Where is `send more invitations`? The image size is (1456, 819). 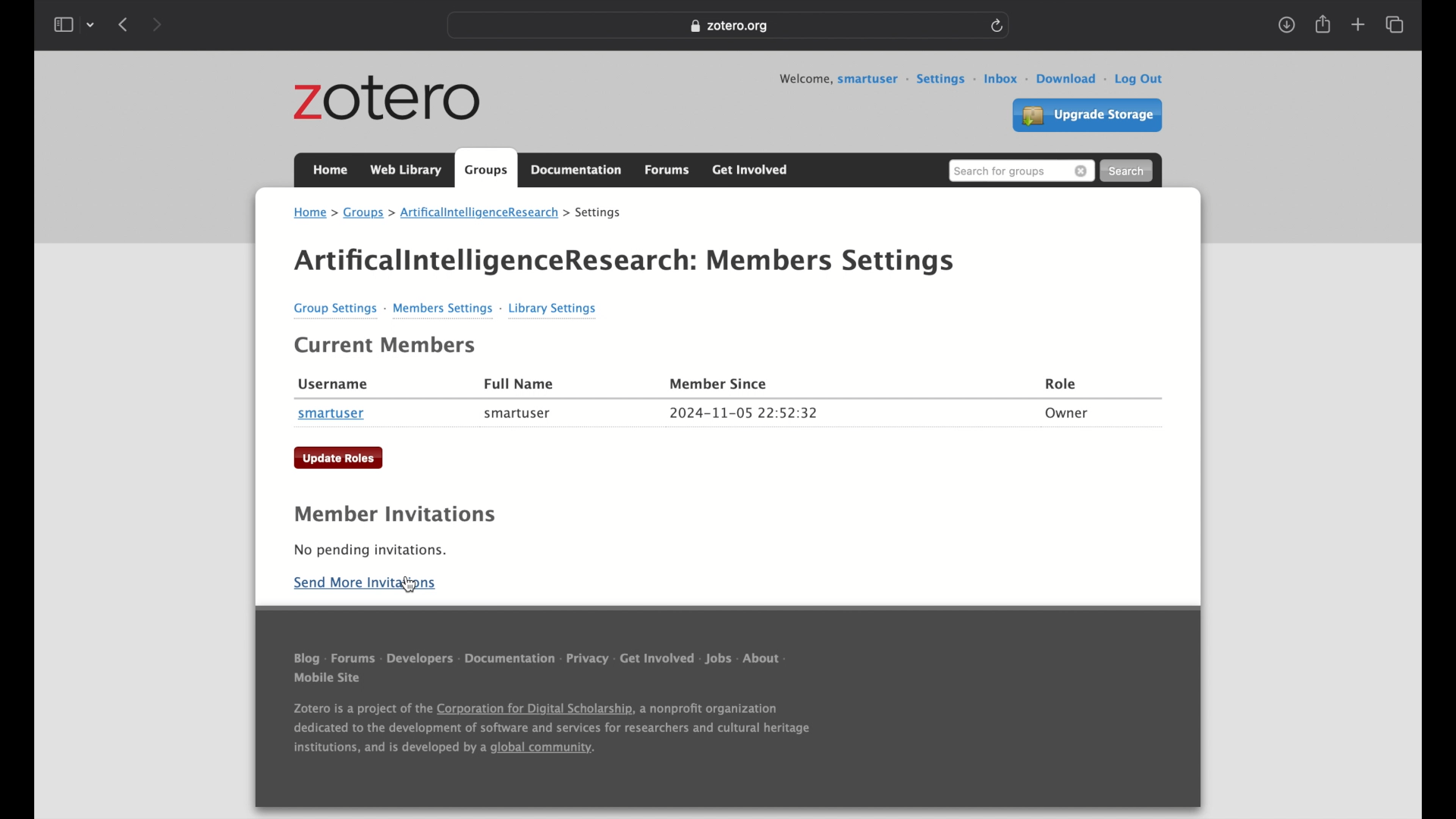
send more invitations is located at coordinates (365, 583).